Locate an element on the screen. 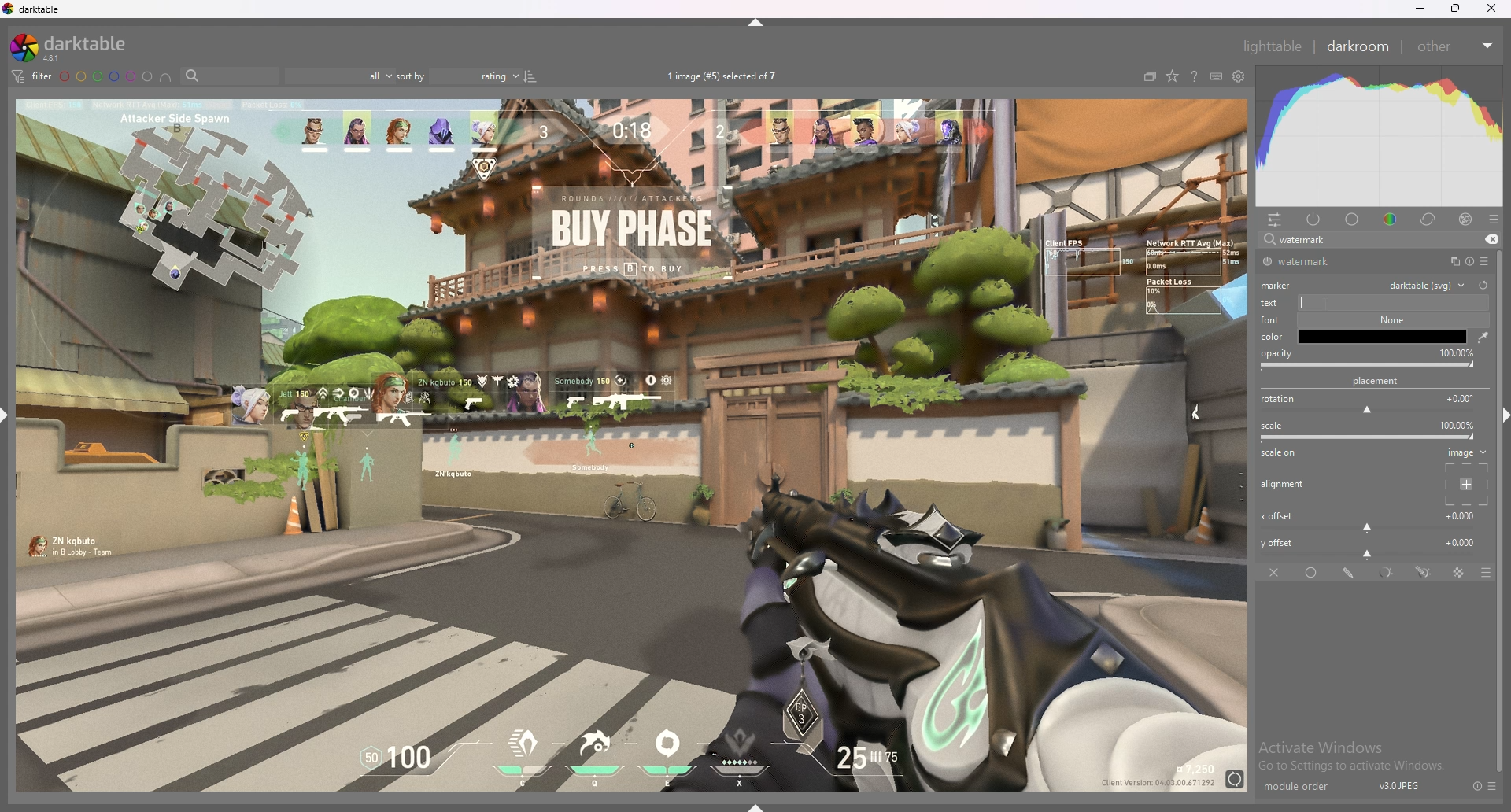 This screenshot has width=1511, height=812. other is located at coordinates (1454, 46).